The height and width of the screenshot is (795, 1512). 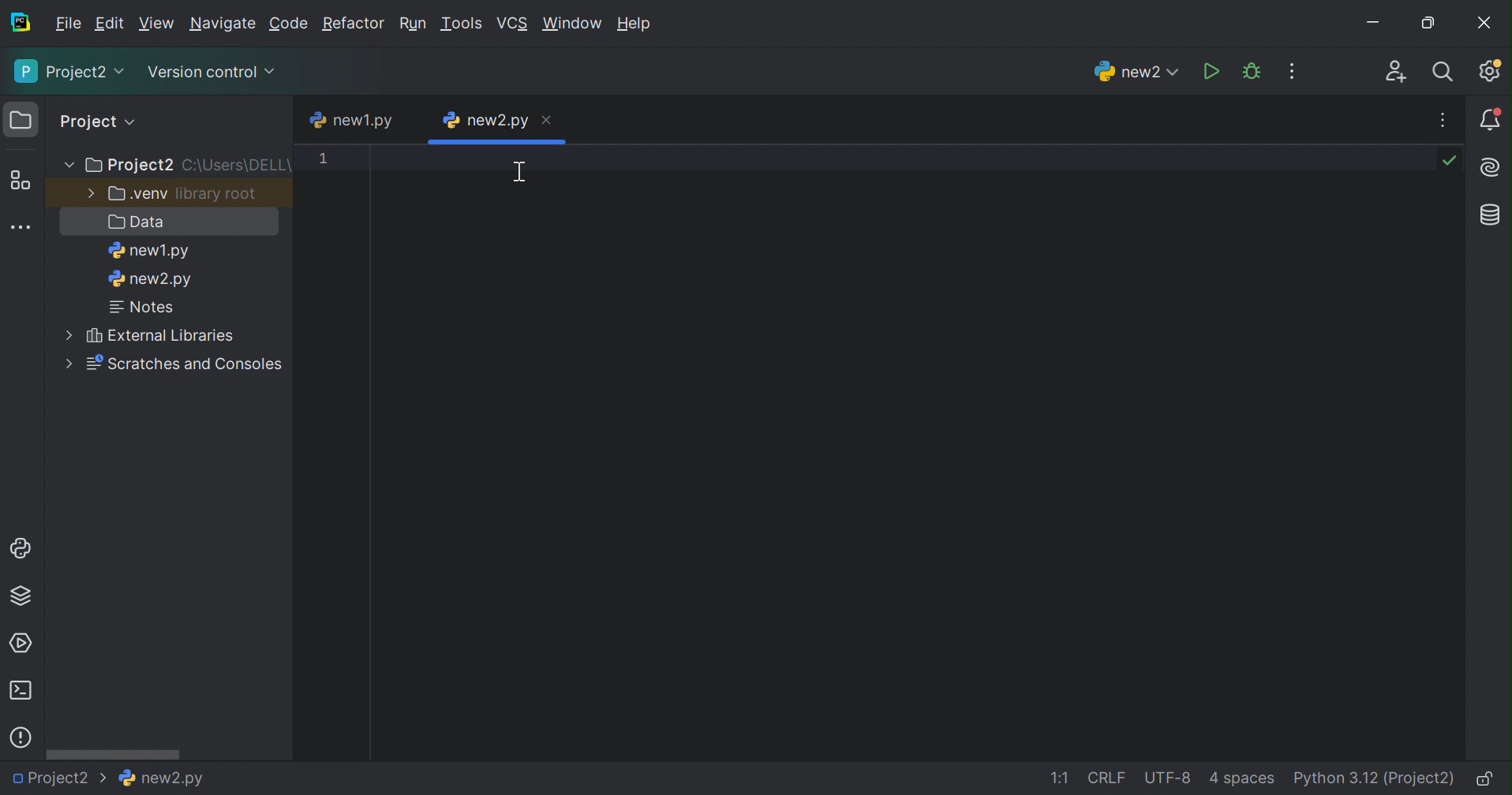 What do you see at coordinates (22, 226) in the screenshot?
I see `More tool windows` at bounding box center [22, 226].